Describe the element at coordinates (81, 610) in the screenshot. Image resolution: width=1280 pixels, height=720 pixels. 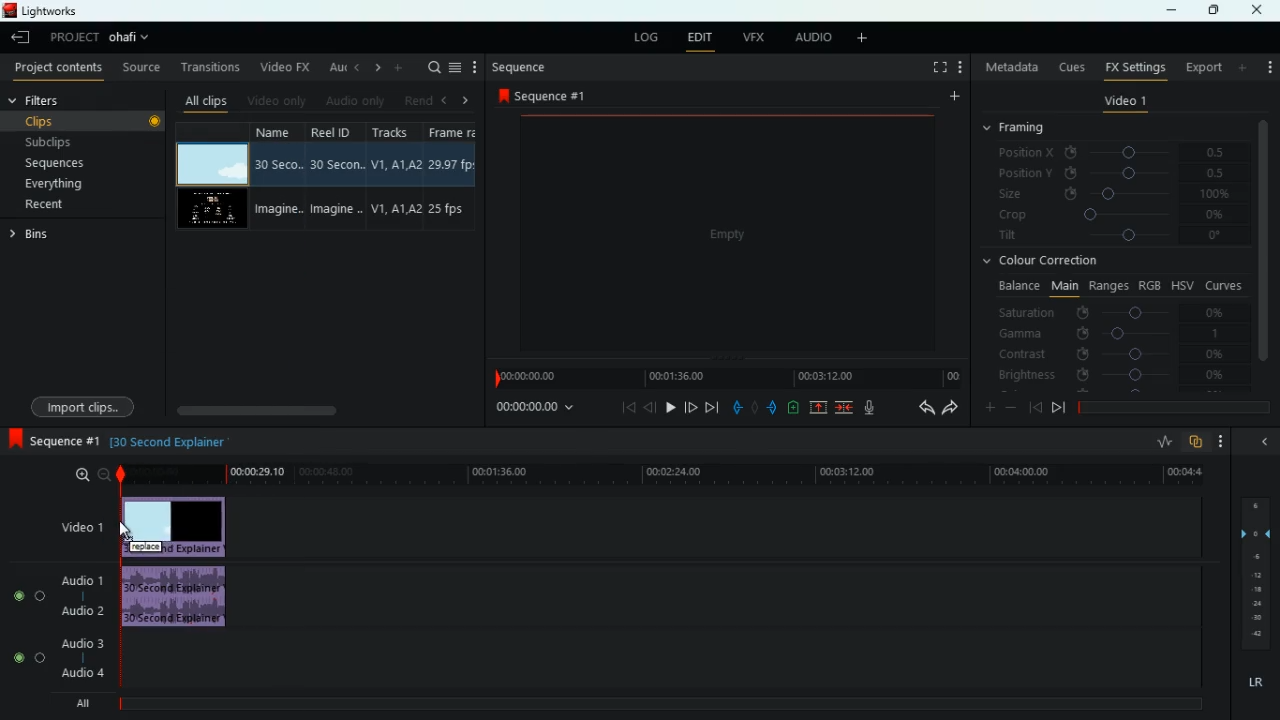
I see `audio 2` at that location.